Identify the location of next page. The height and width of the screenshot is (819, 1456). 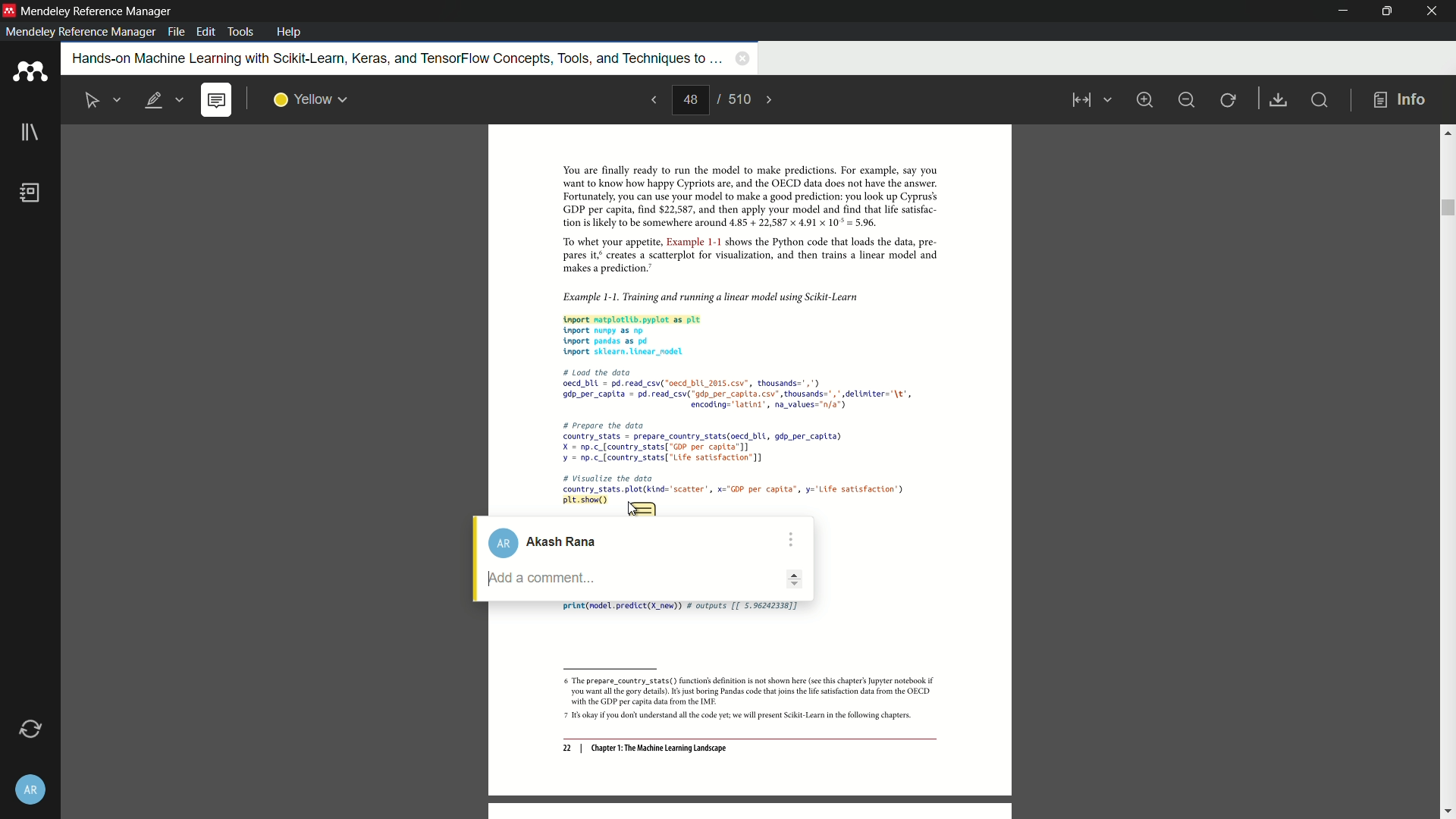
(770, 100).